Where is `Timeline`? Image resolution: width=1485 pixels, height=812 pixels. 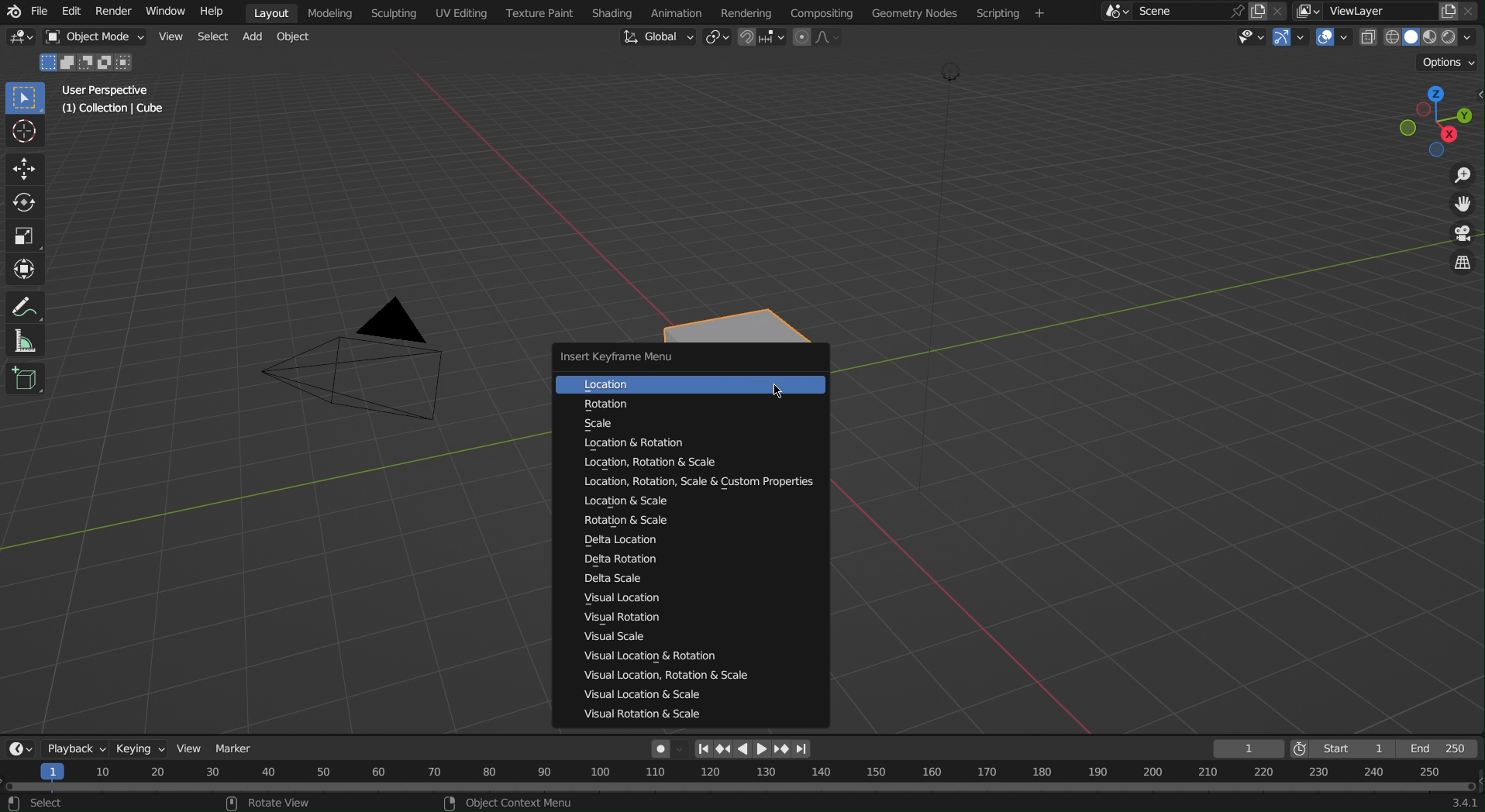 Timeline is located at coordinates (738, 777).